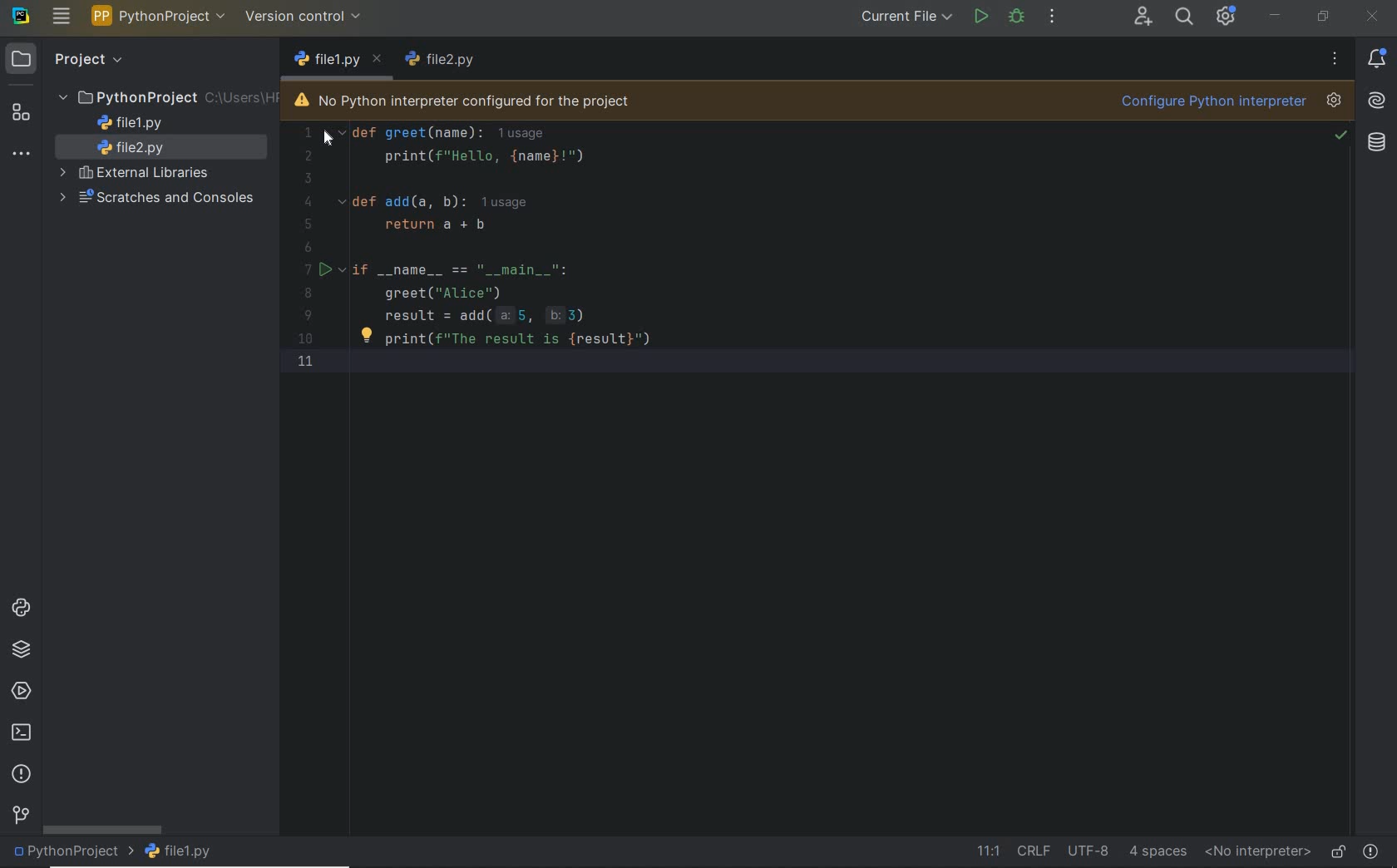  Describe the element at coordinates (160, 16) in the screenshot. I see `project name` at that location.